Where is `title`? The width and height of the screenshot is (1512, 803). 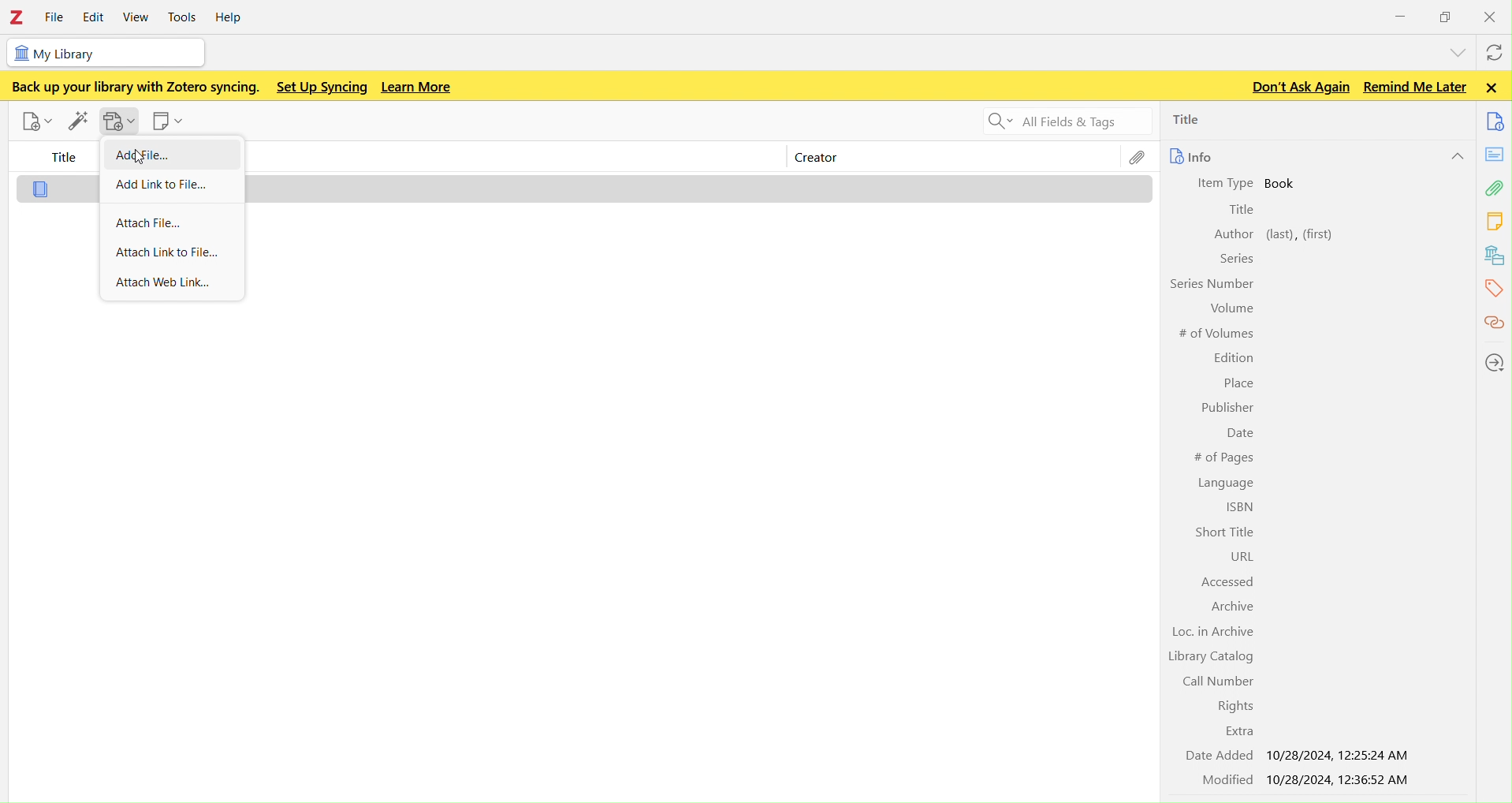
title is located at coordinates (58, 159).